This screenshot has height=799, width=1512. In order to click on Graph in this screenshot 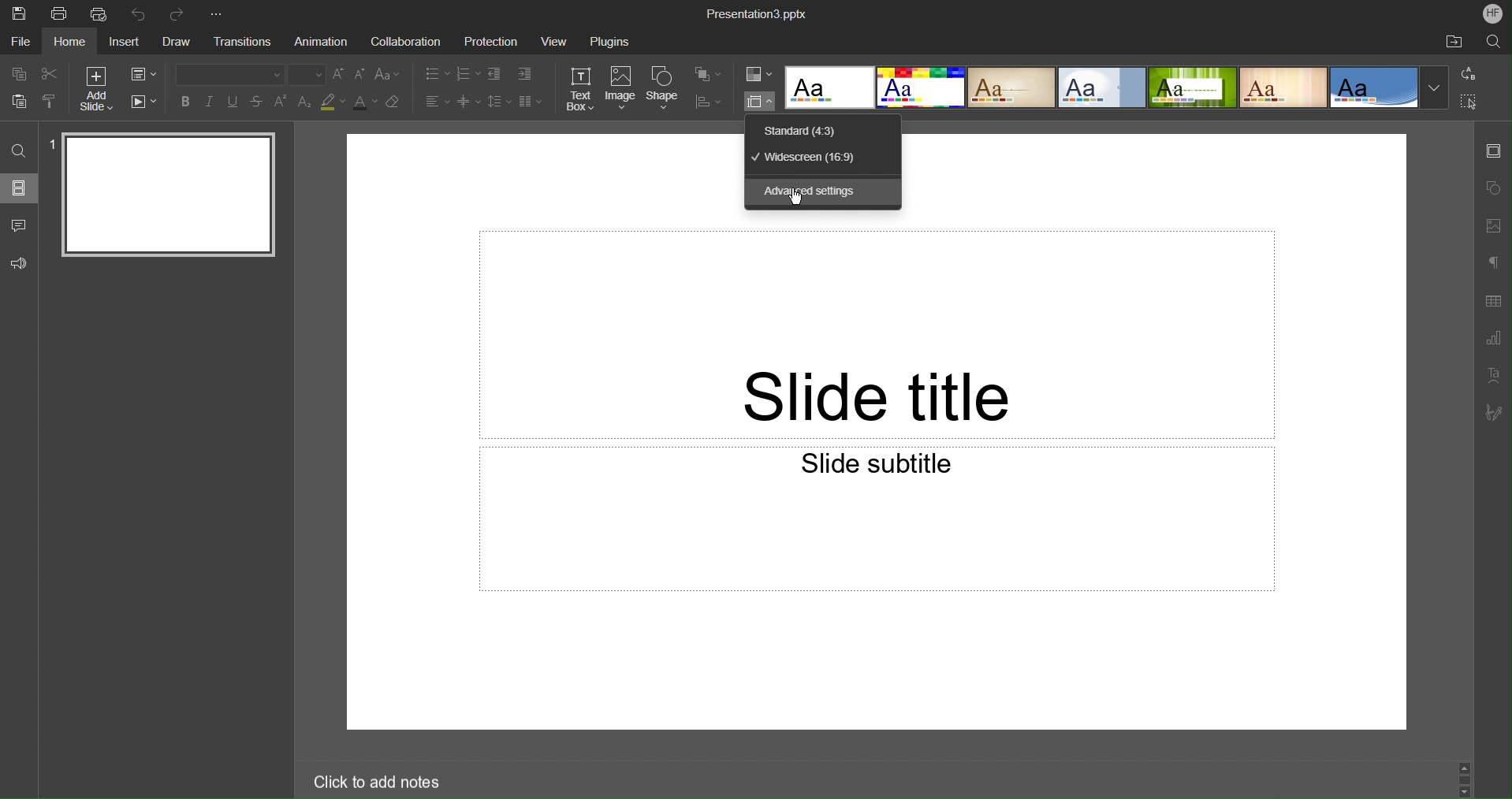, I will do `click(1494, 339)`.